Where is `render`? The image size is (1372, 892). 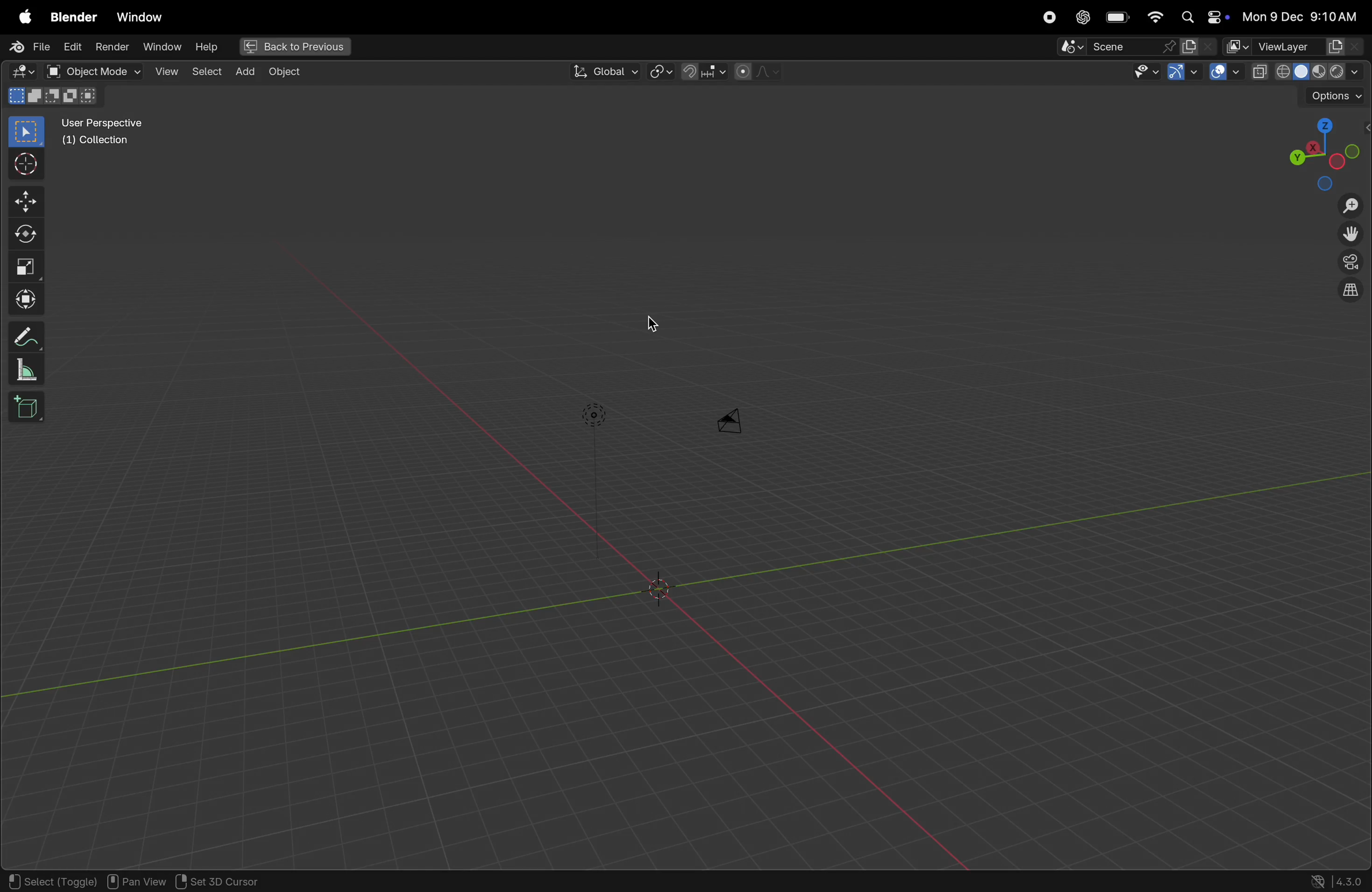 render is located at coordinates (111, 47).